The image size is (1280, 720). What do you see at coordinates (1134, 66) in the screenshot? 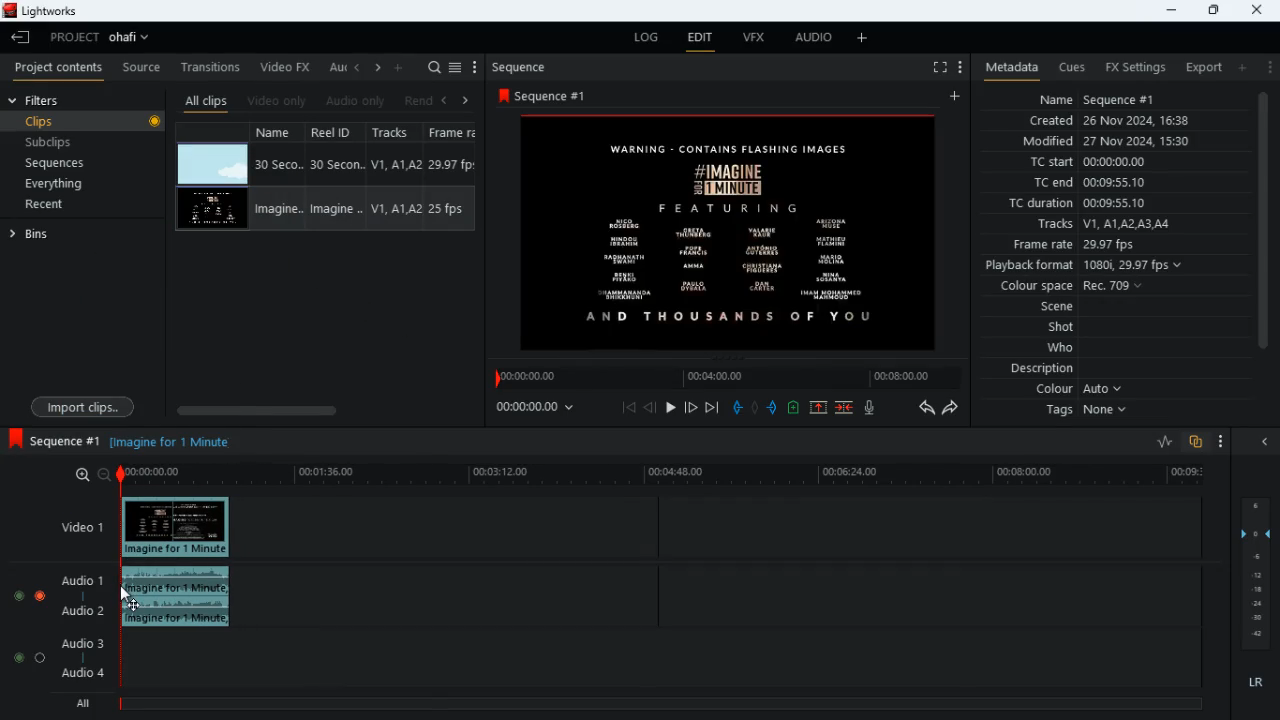
I see `fx settings` at bounding box center [1134, 66].